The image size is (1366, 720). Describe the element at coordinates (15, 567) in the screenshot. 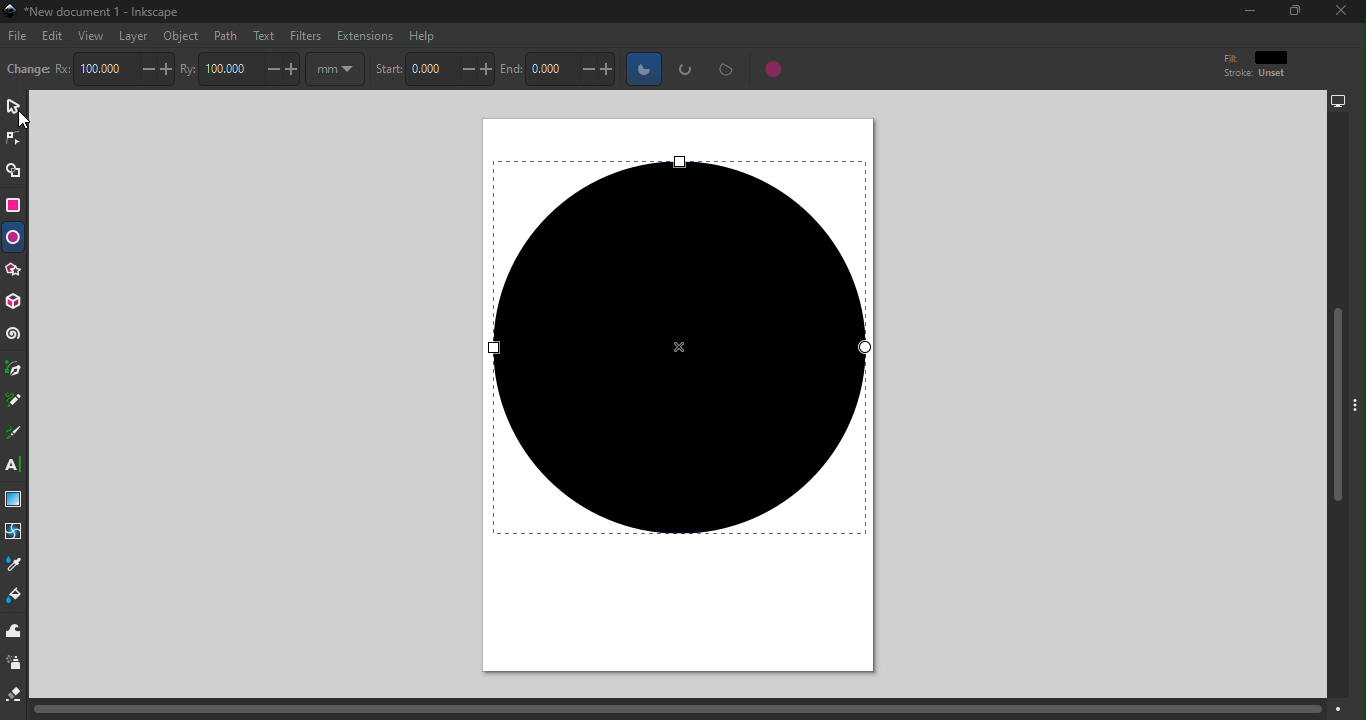

I see `dropper tool` at that location.